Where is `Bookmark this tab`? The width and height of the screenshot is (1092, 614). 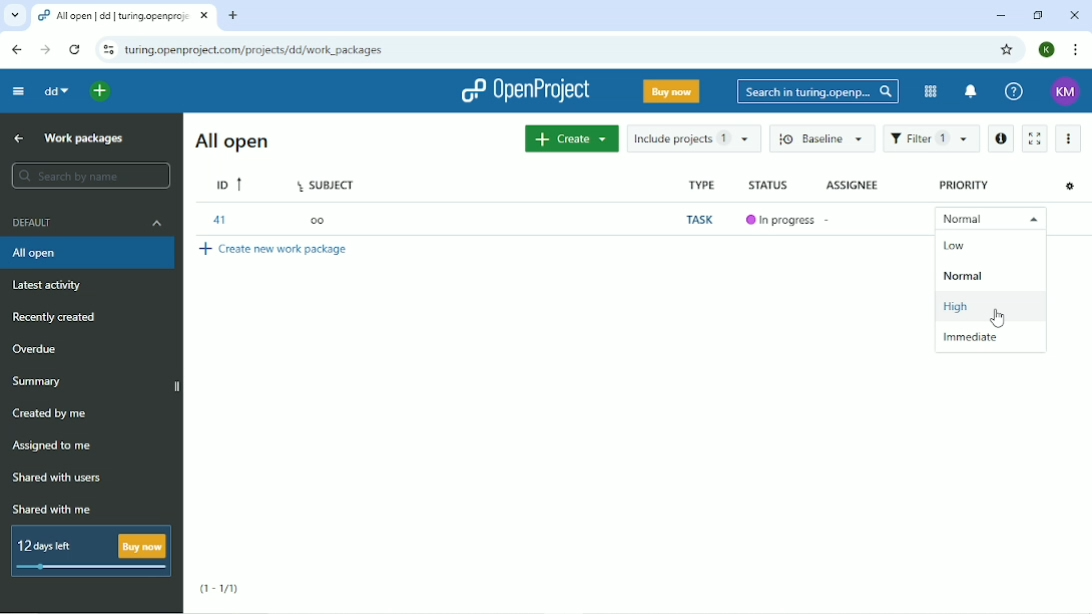
Bookmark this tab is located at coordinates (1007, 50).